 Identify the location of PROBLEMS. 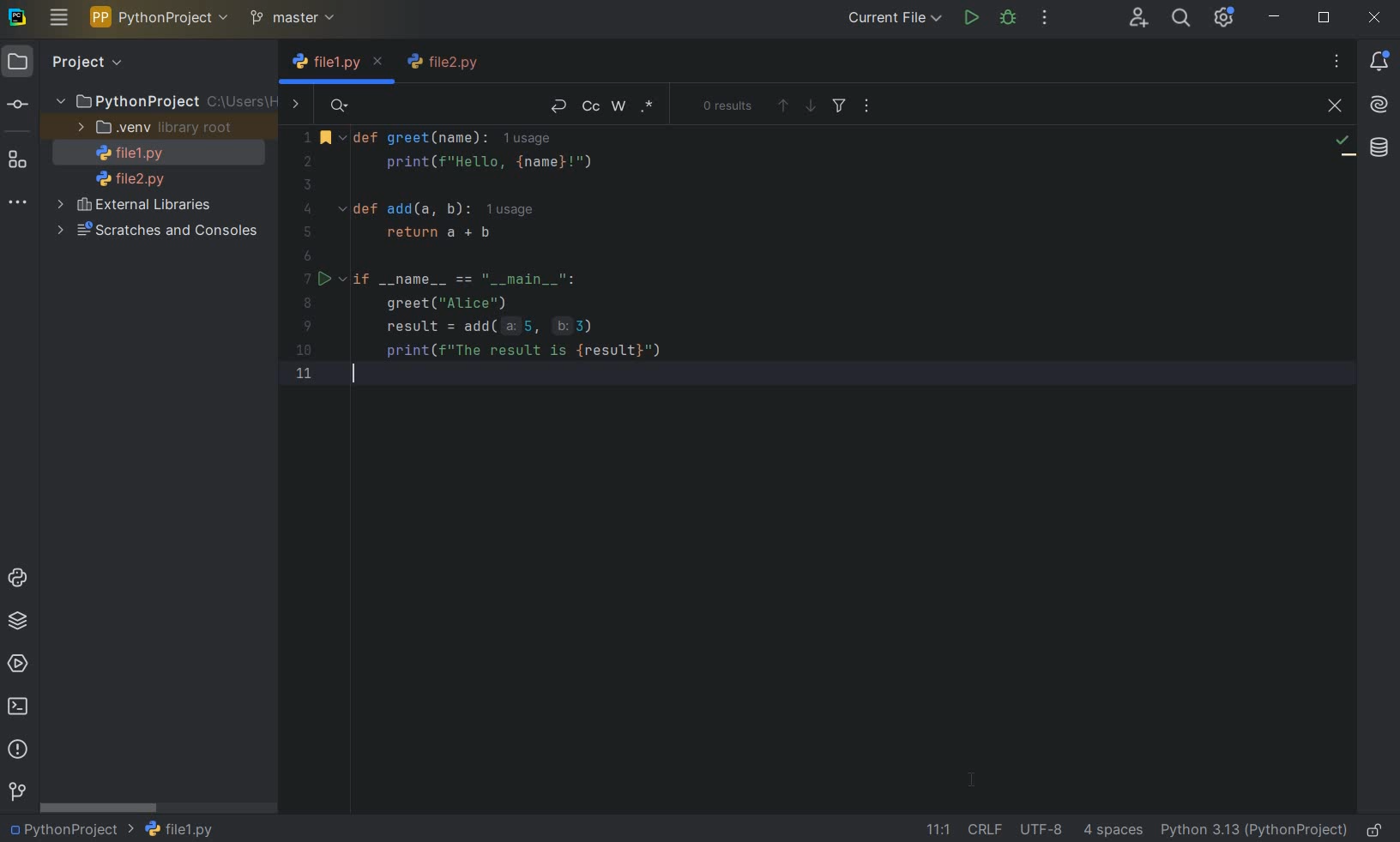
(18, 750).